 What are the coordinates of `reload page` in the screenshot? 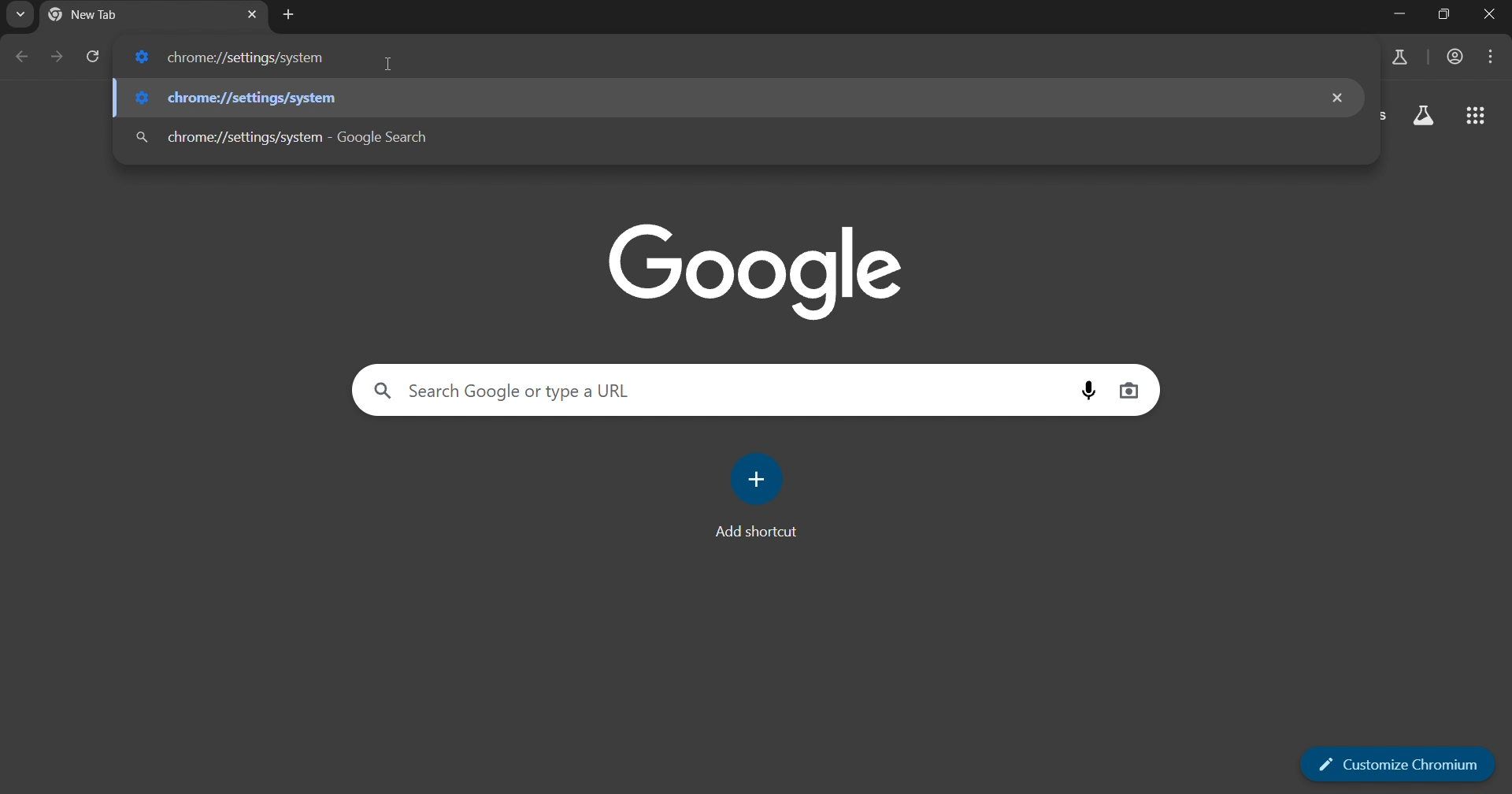 It's located at (92, 59).